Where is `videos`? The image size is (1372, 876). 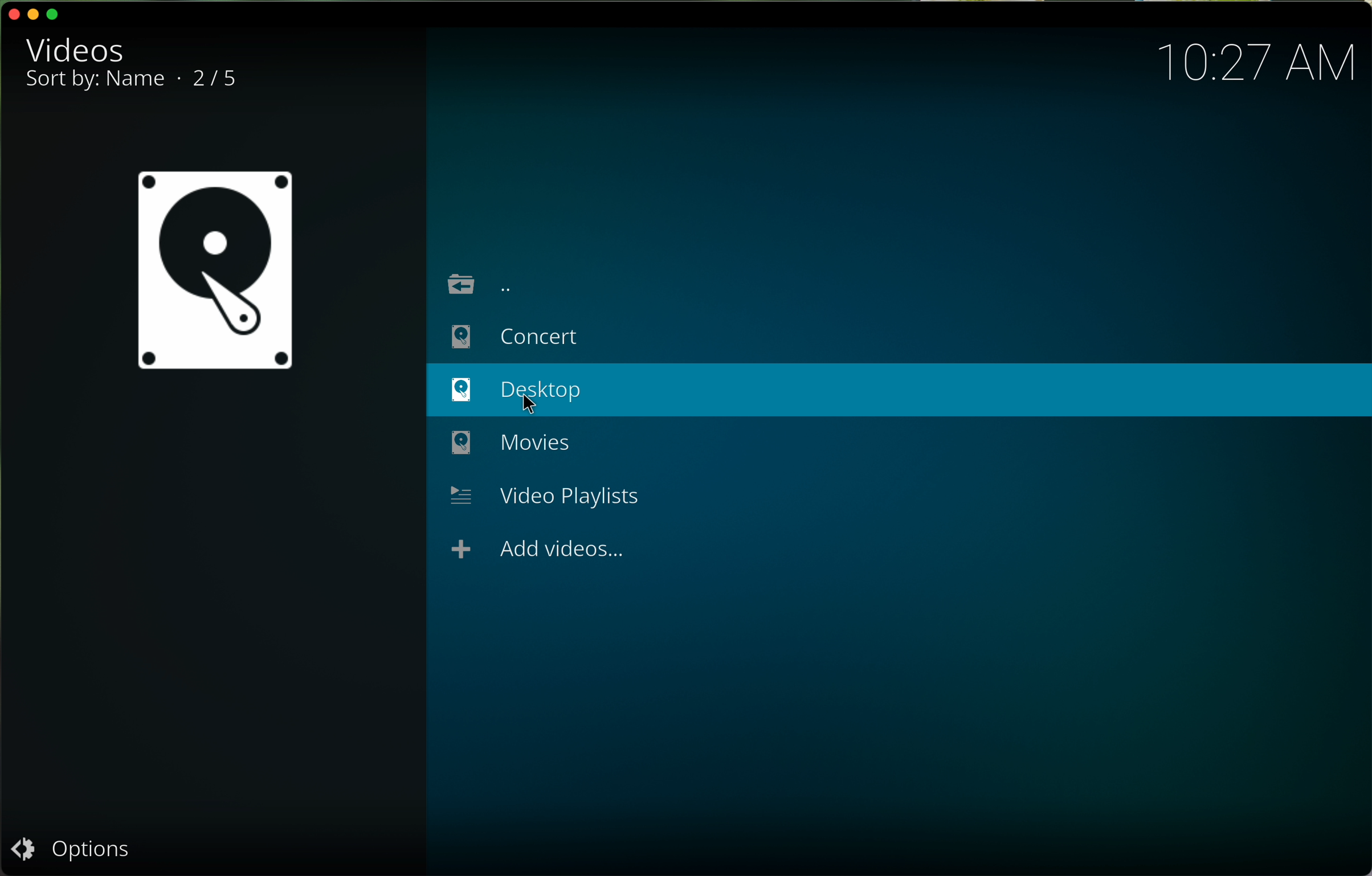
videos is located at coordinates (68, 48).